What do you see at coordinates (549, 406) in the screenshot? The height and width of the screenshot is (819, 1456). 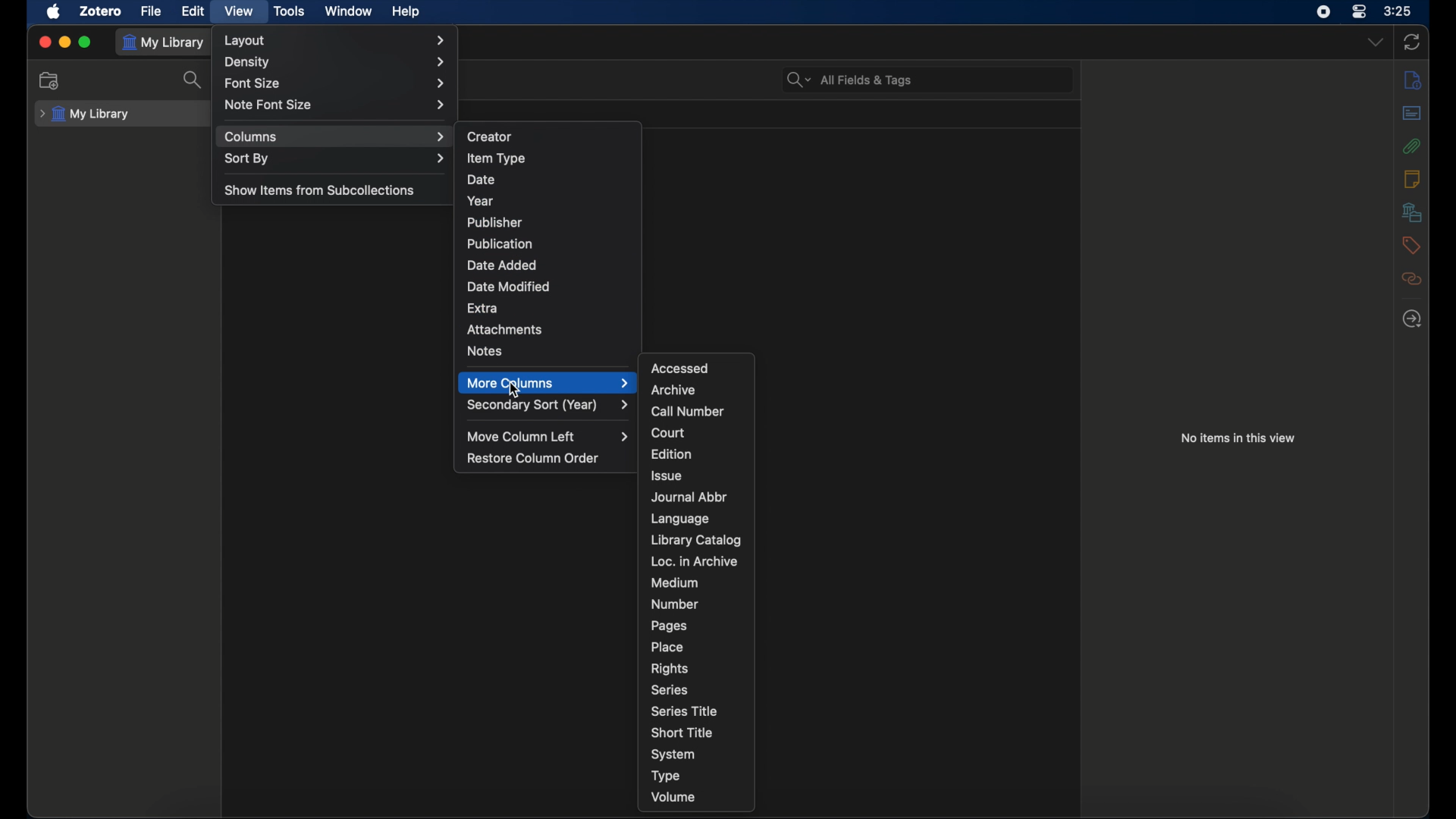 I see `secondary sort` at bounding box center [549, 406].